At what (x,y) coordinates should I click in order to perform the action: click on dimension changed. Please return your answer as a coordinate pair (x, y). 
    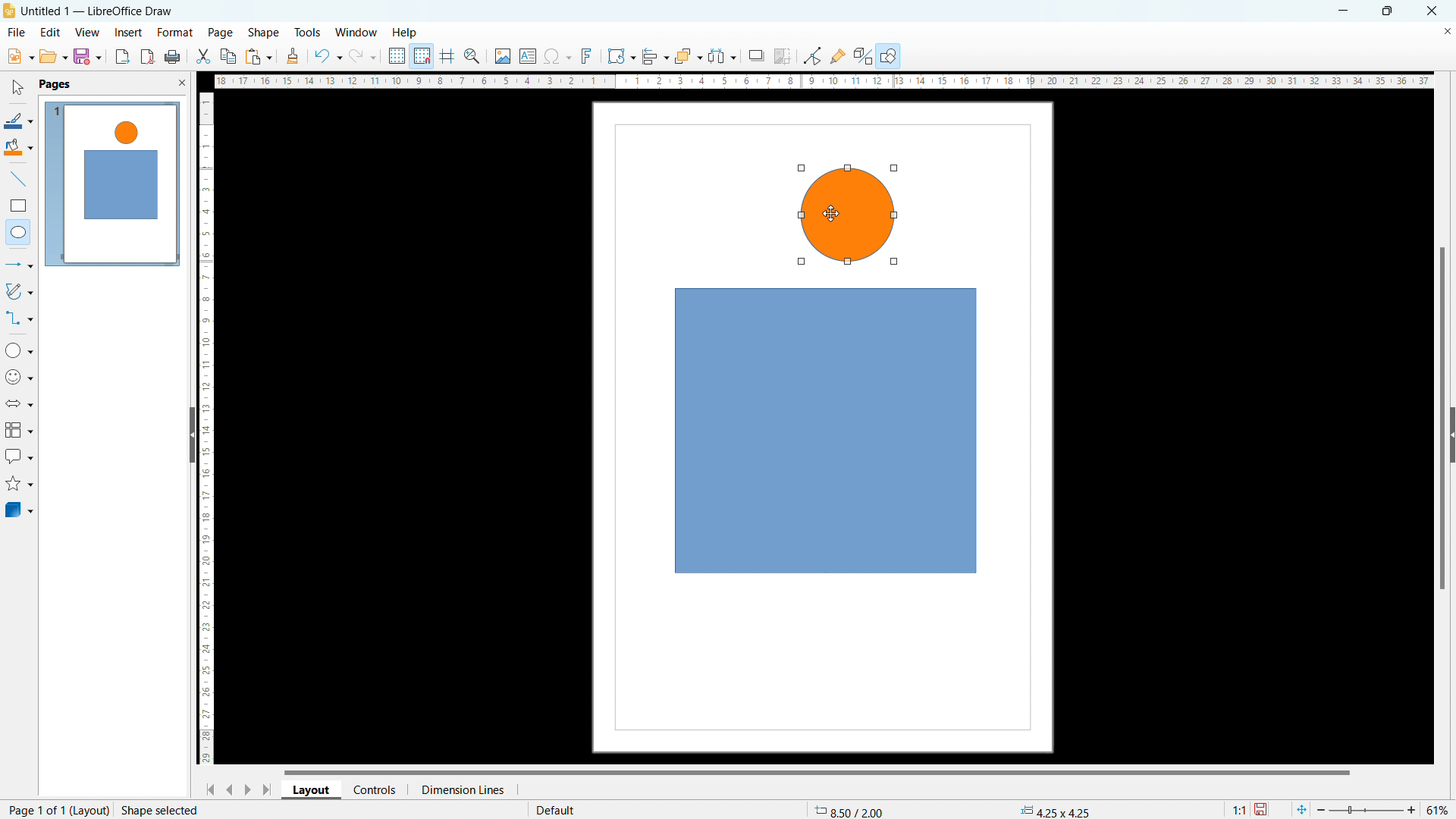
    Looking at the image, I should click on (1054, 810).